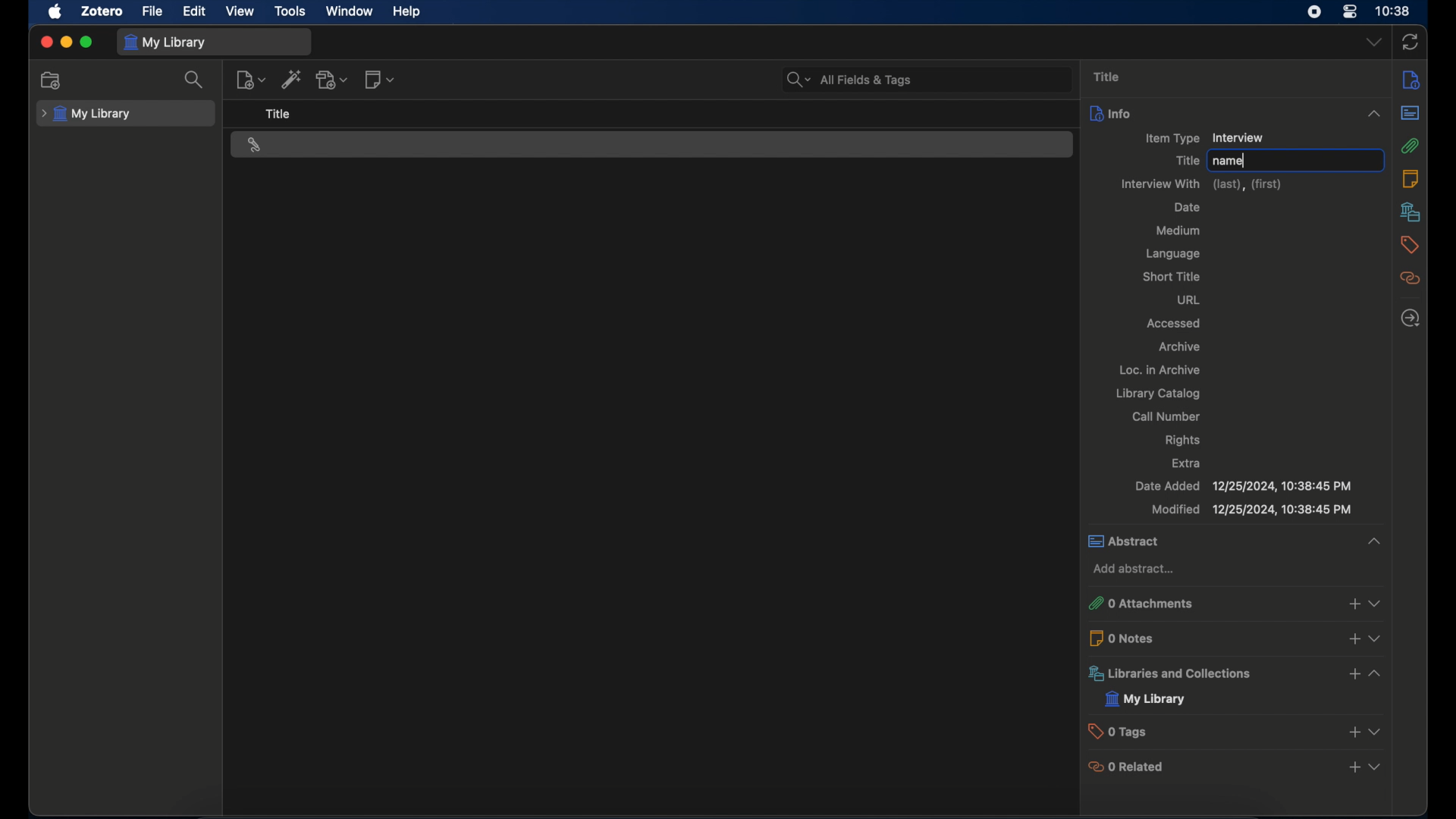  What do you see at coordinates (1380, 640) in the screenshot?
I see `view` at bounding box center [1380, 640].